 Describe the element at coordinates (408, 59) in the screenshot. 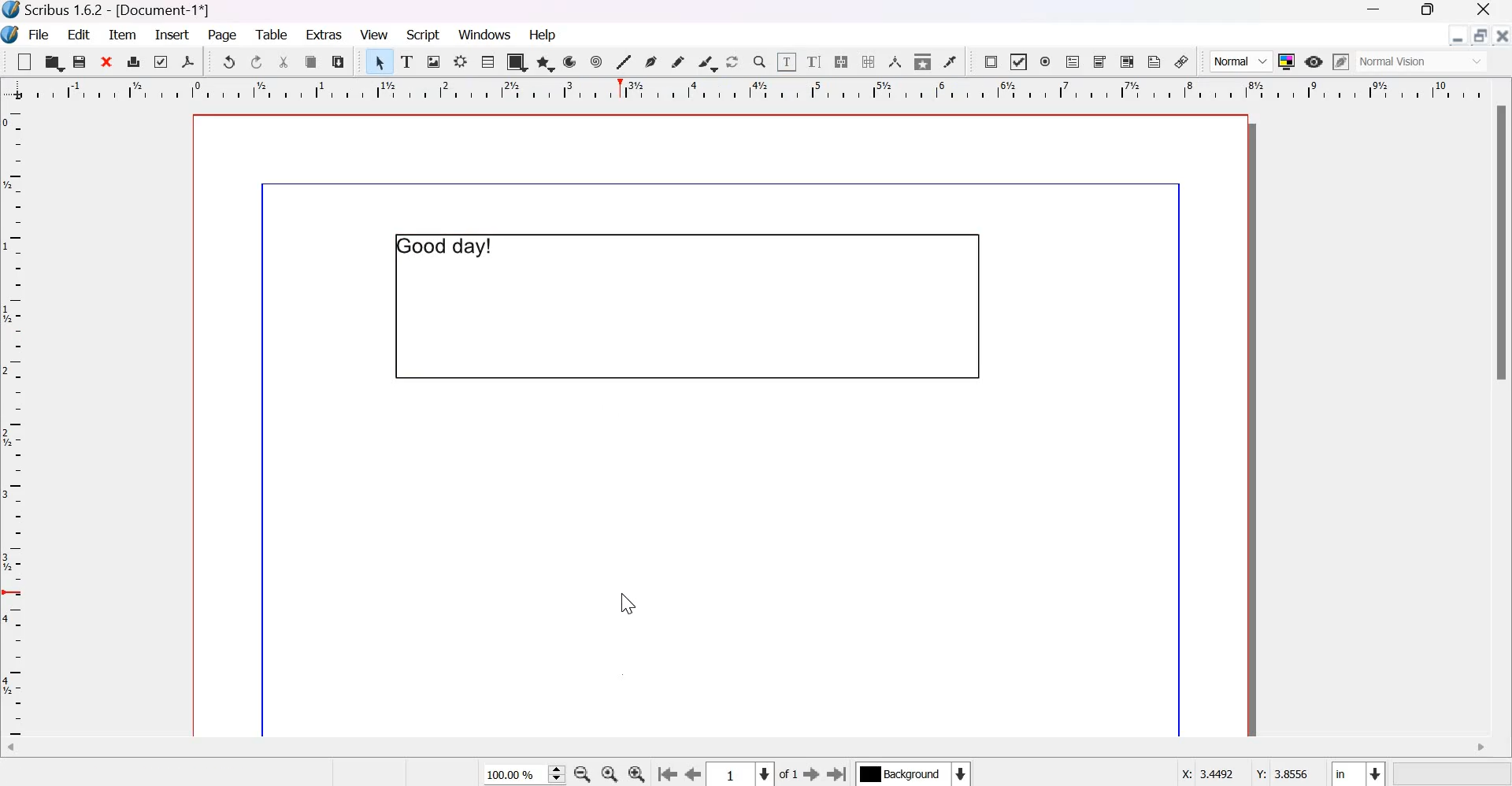

I see `text frame` at that location.